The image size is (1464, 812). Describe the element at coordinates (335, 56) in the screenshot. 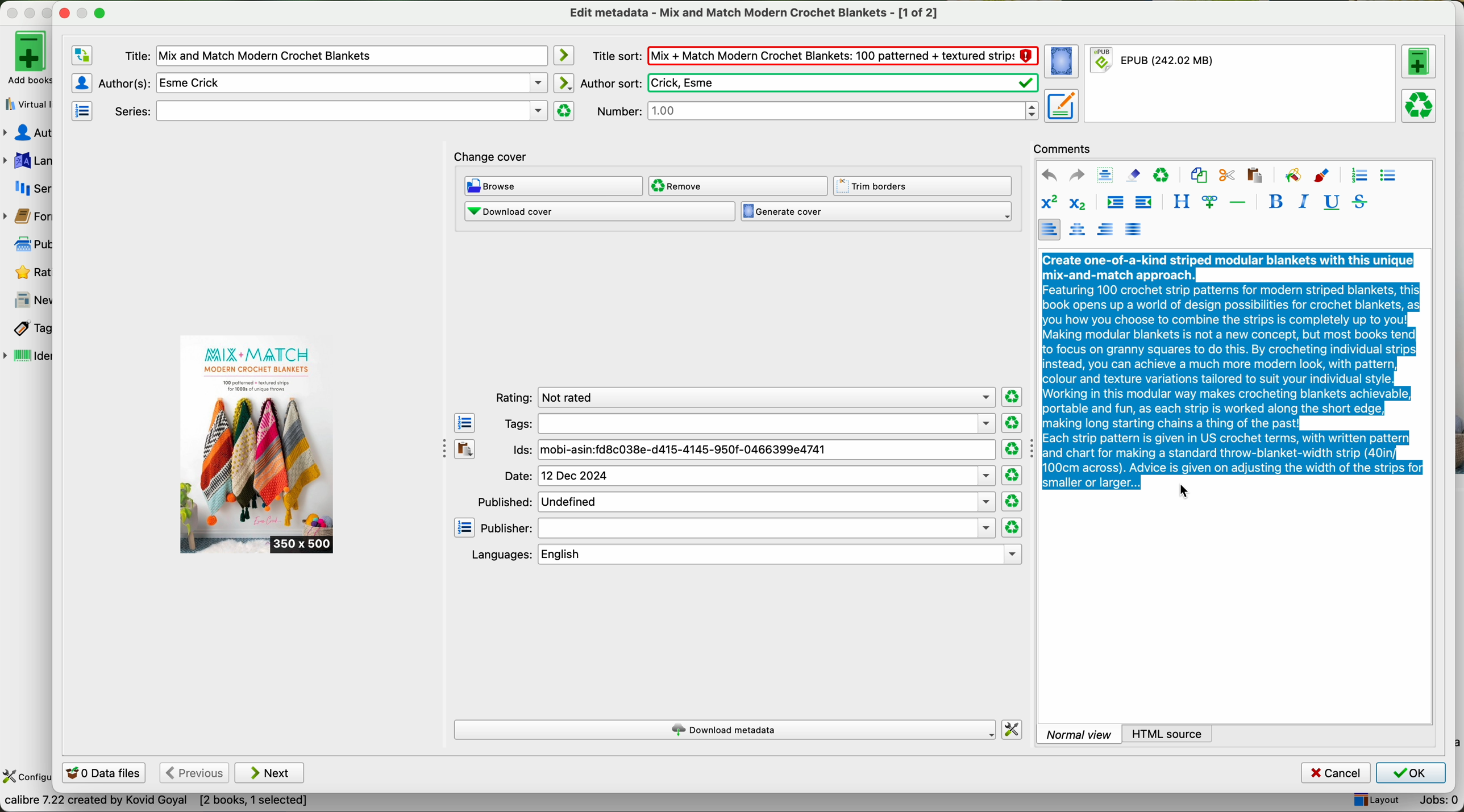

I see `title` at that location.